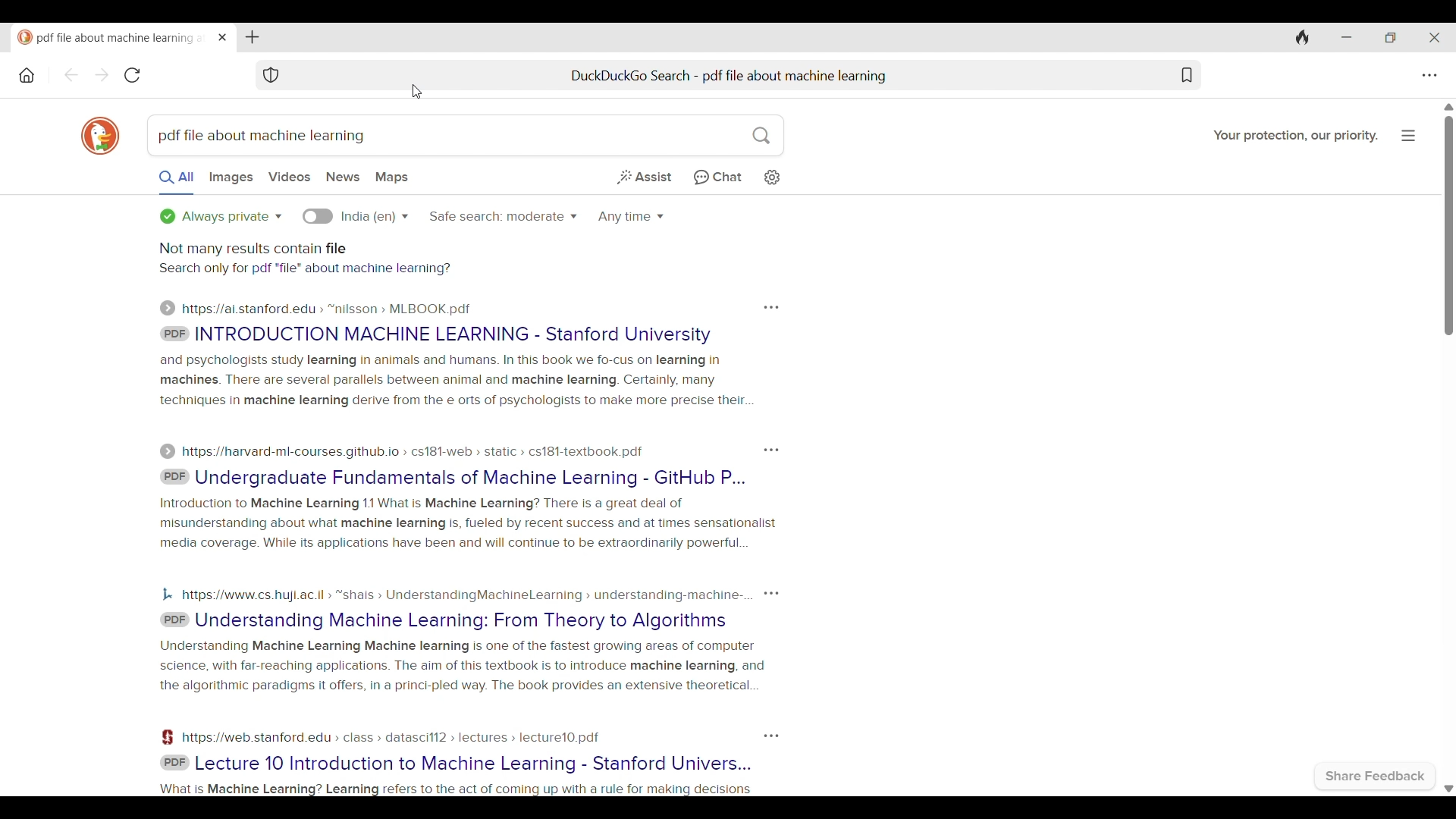 The height and width of the screenshot is (819, 1456). I want to click on https://www.cs.huji.ac.il » “shais >» UnderstandingMachineLearning » understanding-machine-..., so click(467, 595).